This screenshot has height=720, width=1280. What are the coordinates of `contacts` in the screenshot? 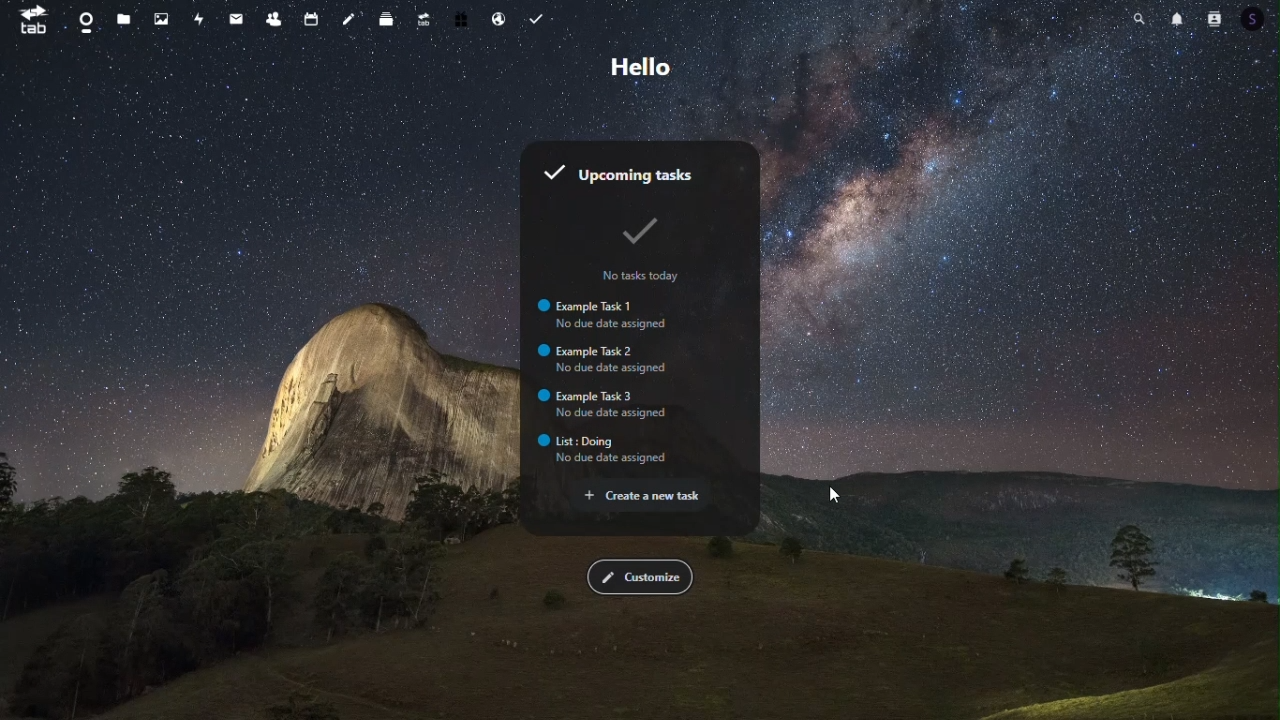 It's located at (271, 20).